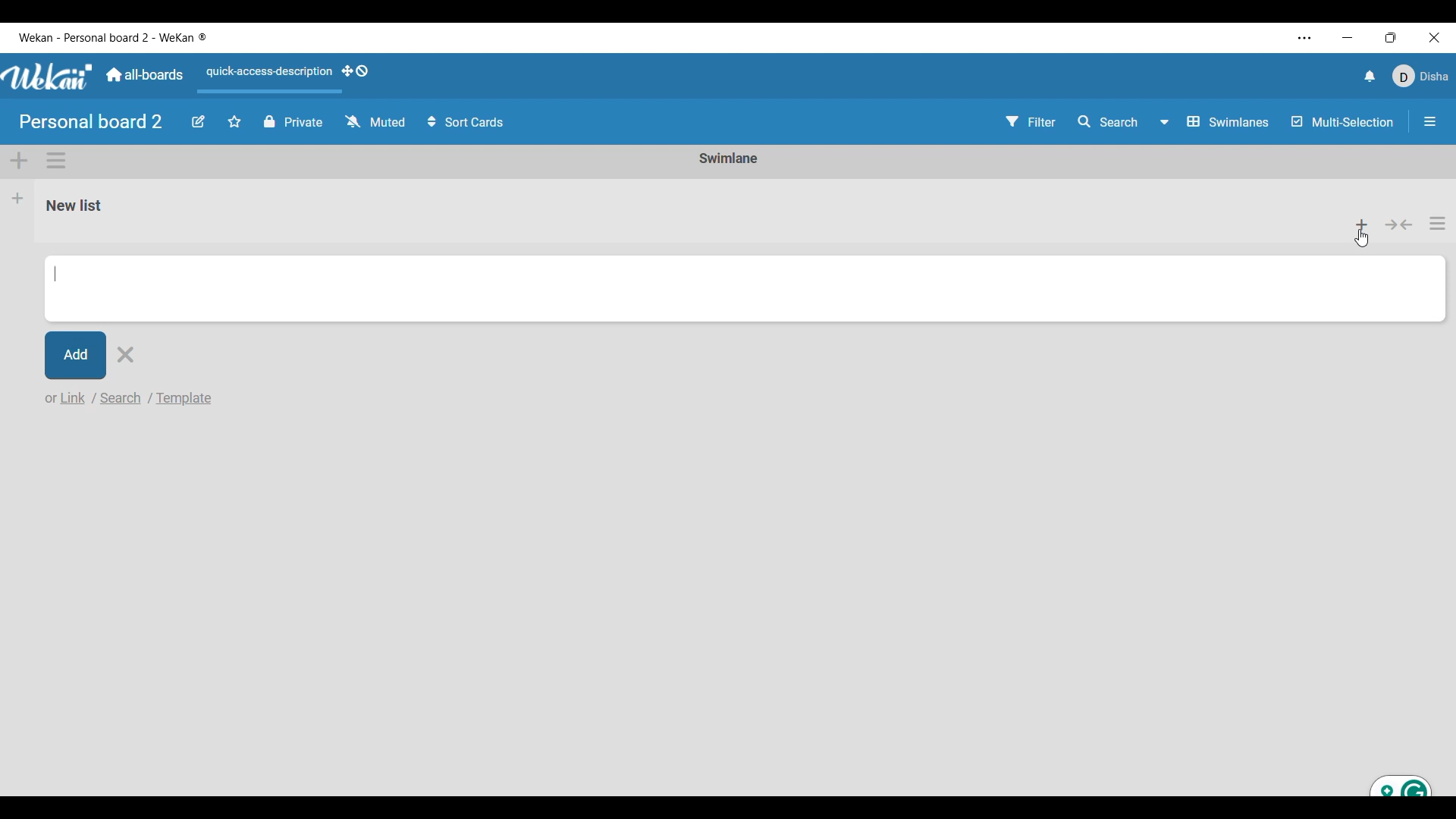  What do you see at coordinates (185, 398) in the screenshot?
I see `Search template` at bounding box center [185, 398].